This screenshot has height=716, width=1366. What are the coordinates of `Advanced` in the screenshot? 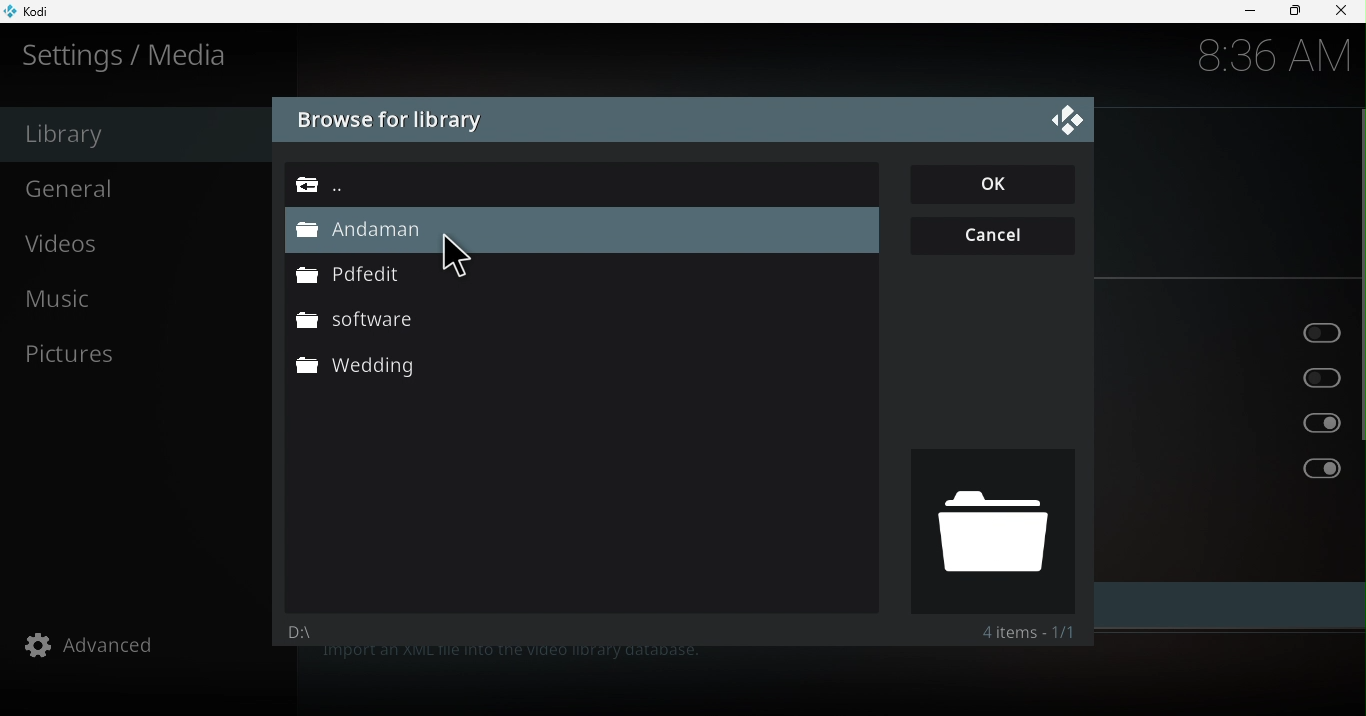 It's located at (149, 644).